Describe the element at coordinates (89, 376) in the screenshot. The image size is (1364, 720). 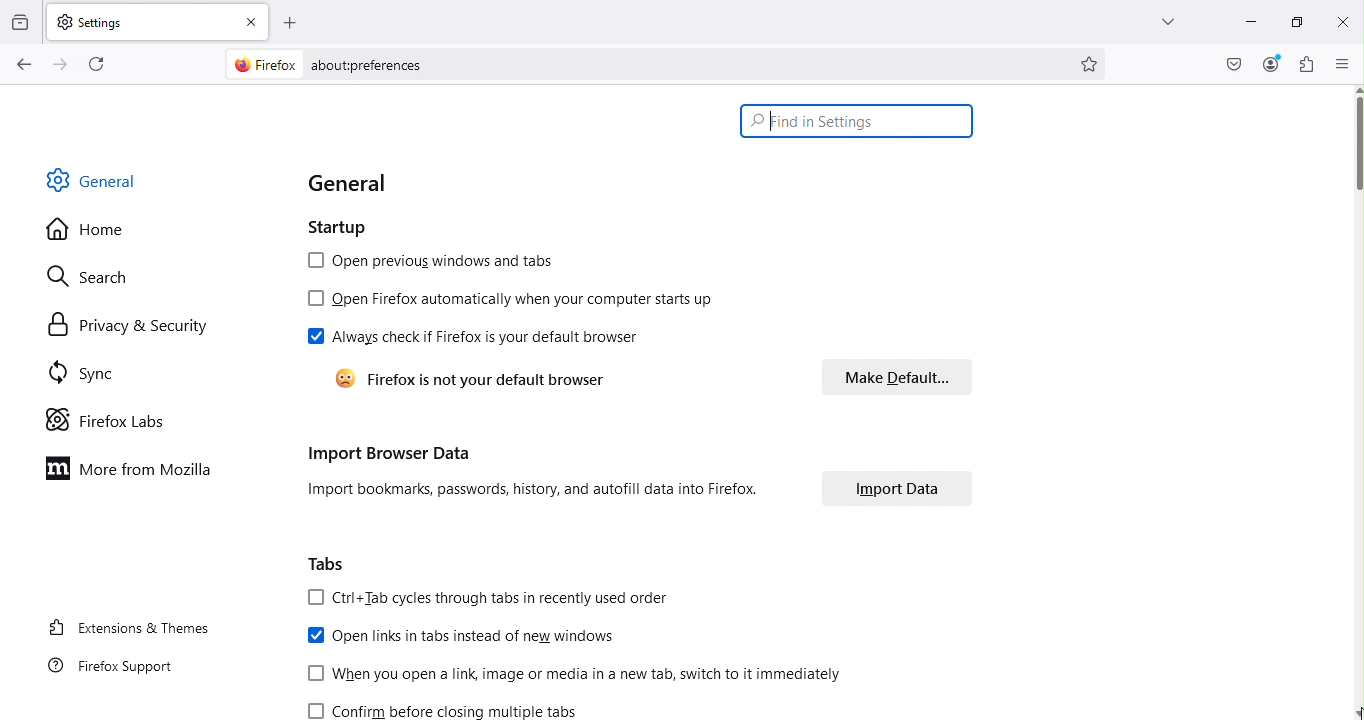
I see `SYnc` at that location.